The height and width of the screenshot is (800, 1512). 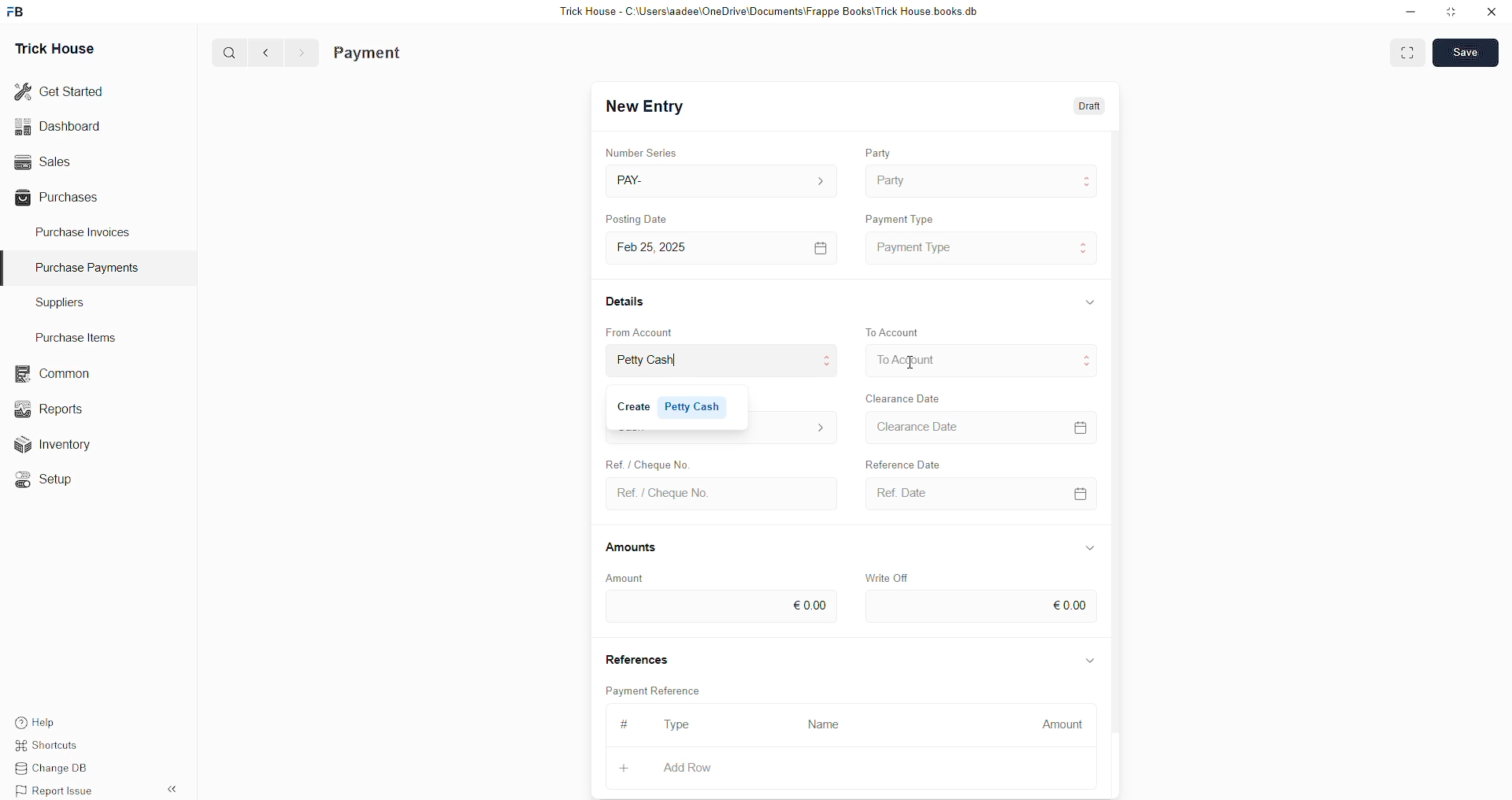 What do you see at coordinates (59, 720) in the screenshot?
I see ` Help` at bounding box center [59, 720].